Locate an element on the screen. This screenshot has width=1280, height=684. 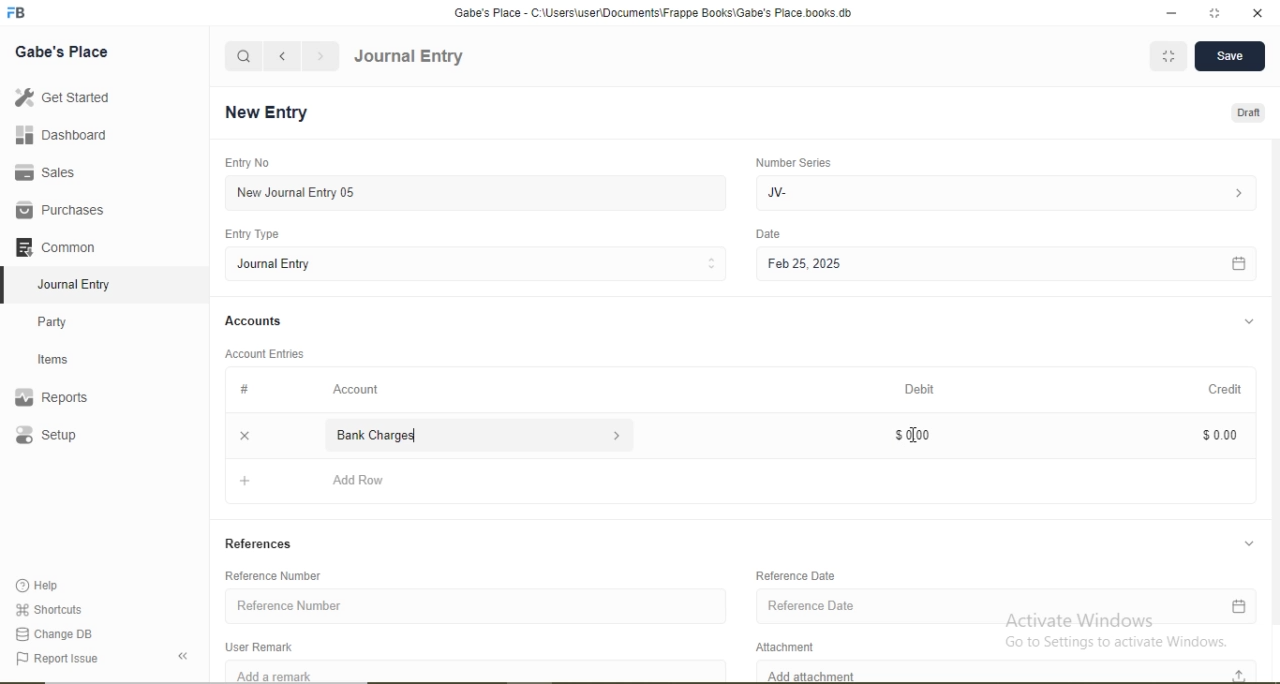
‘Shortcuts is located at coordinates (51, 608).